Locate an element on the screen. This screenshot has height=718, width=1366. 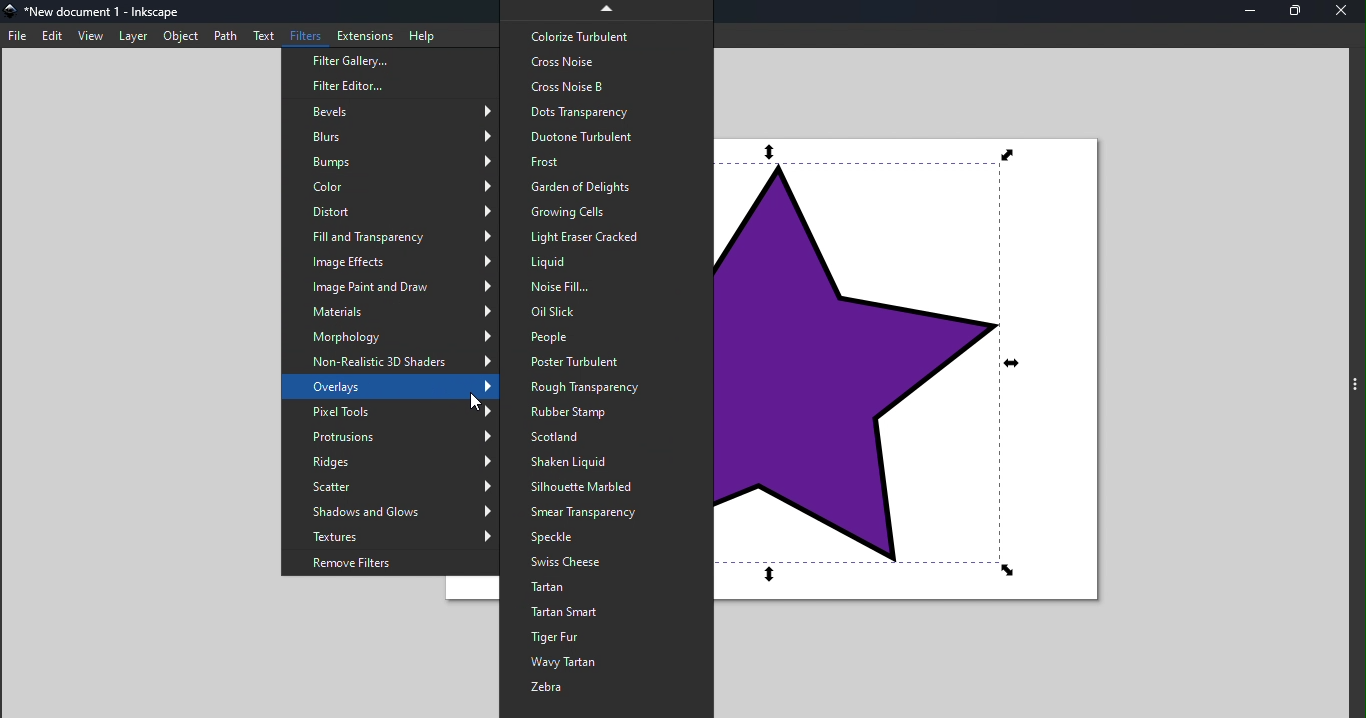
Scotland is located at coordinates (604, 439).